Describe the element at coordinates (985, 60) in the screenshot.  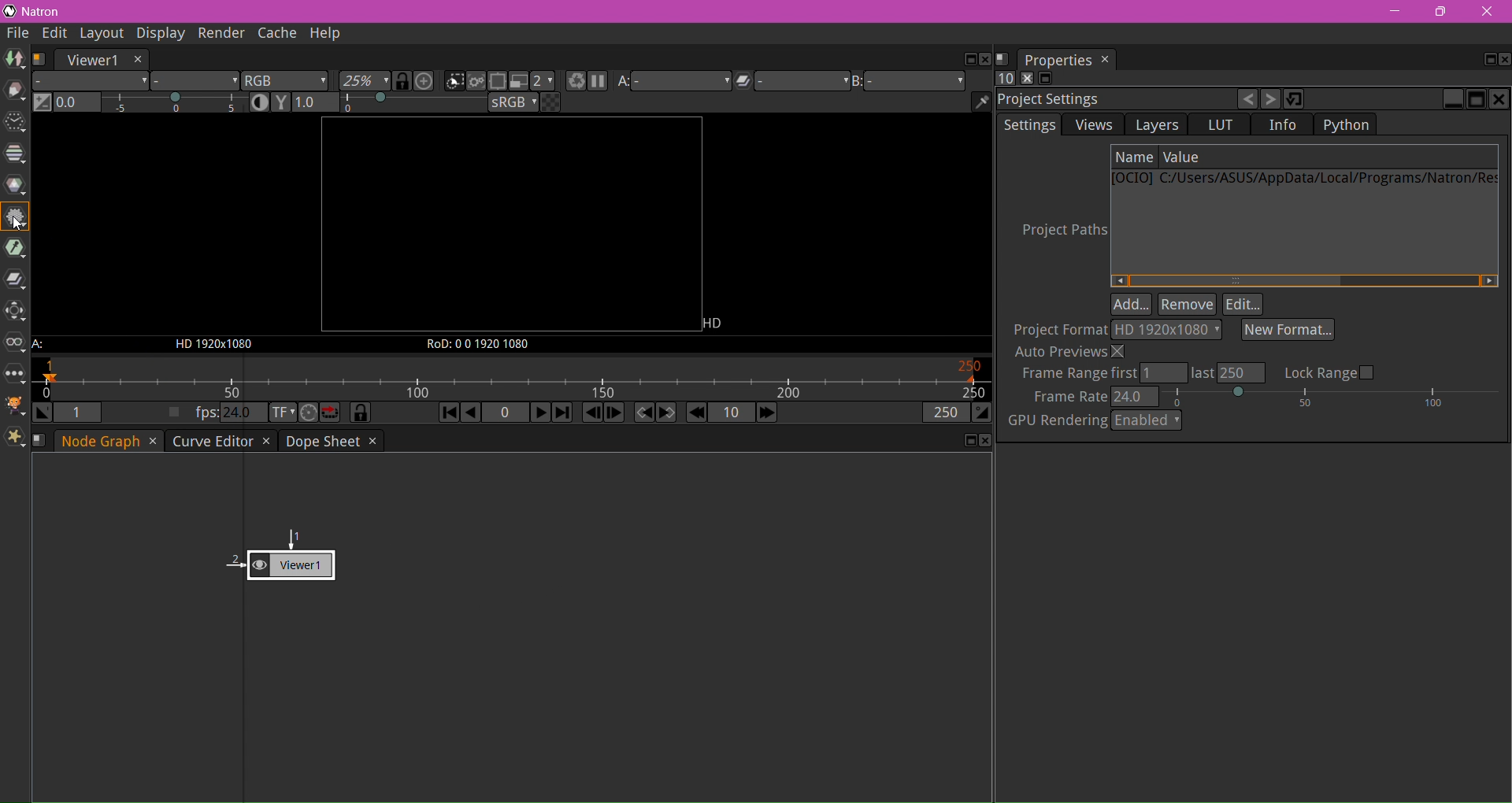
I see `Close pane` at that location.